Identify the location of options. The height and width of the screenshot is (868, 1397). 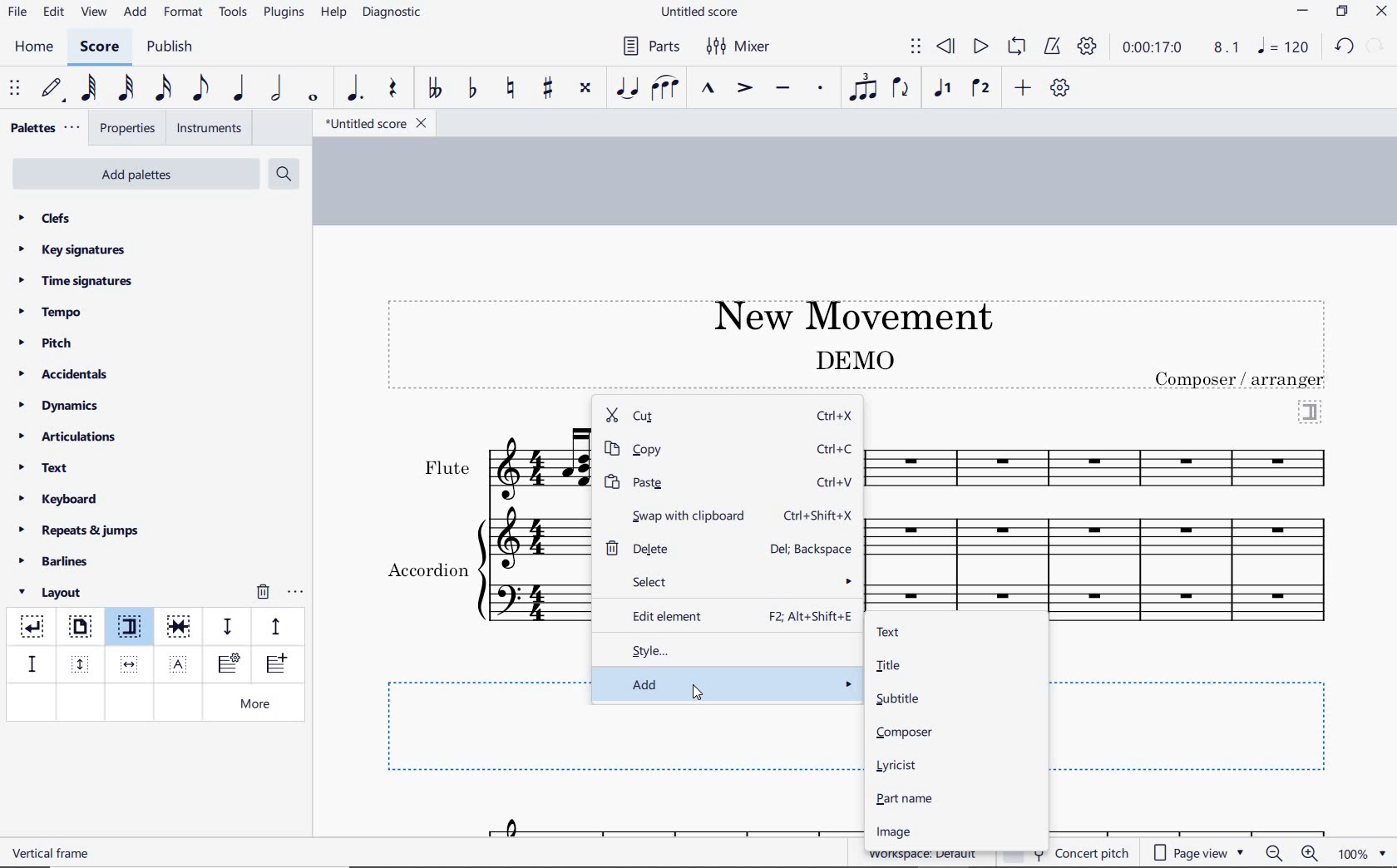
(295, 589).